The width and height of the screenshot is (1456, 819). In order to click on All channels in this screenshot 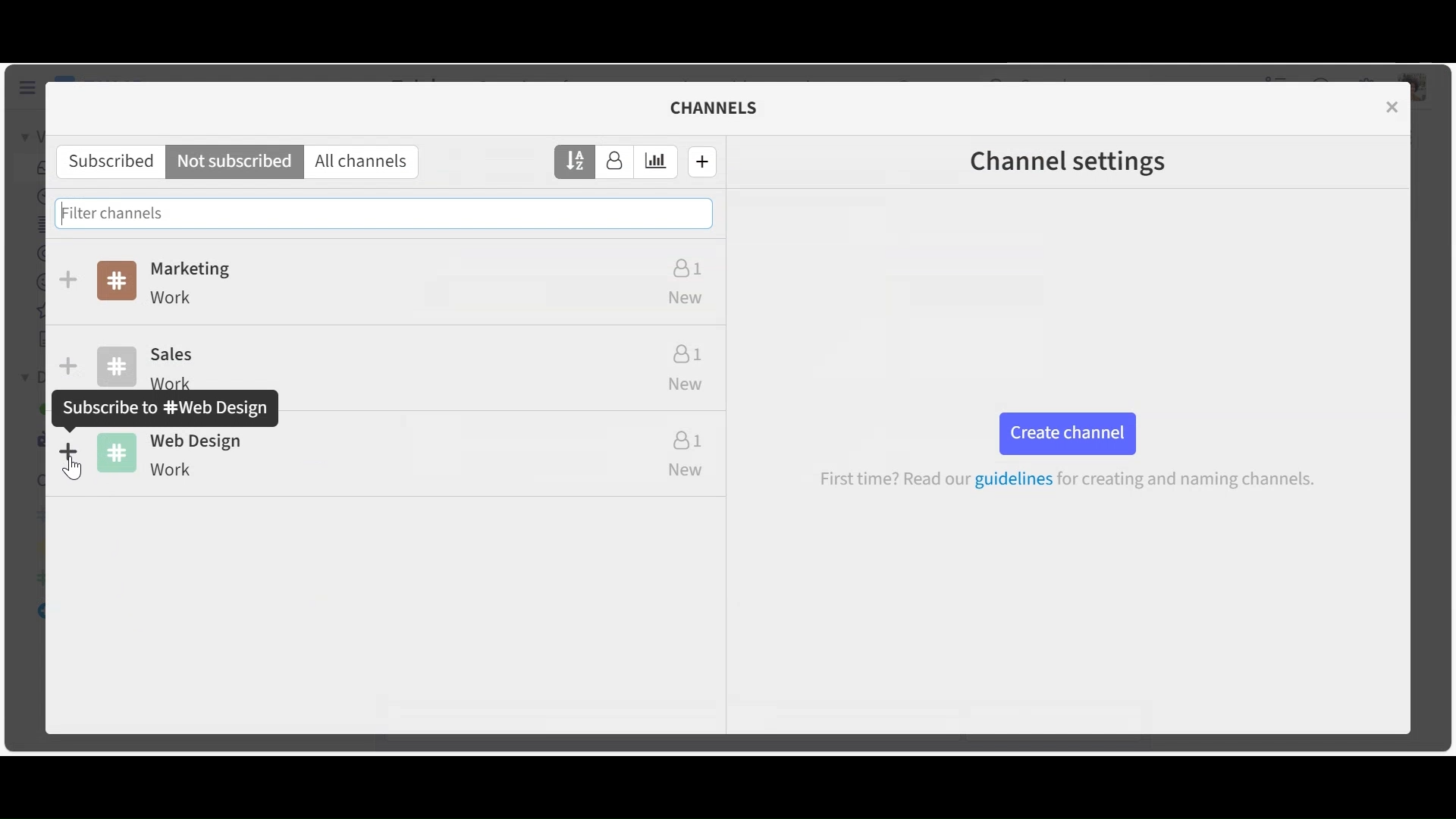, I will do `click(362, 162)`.